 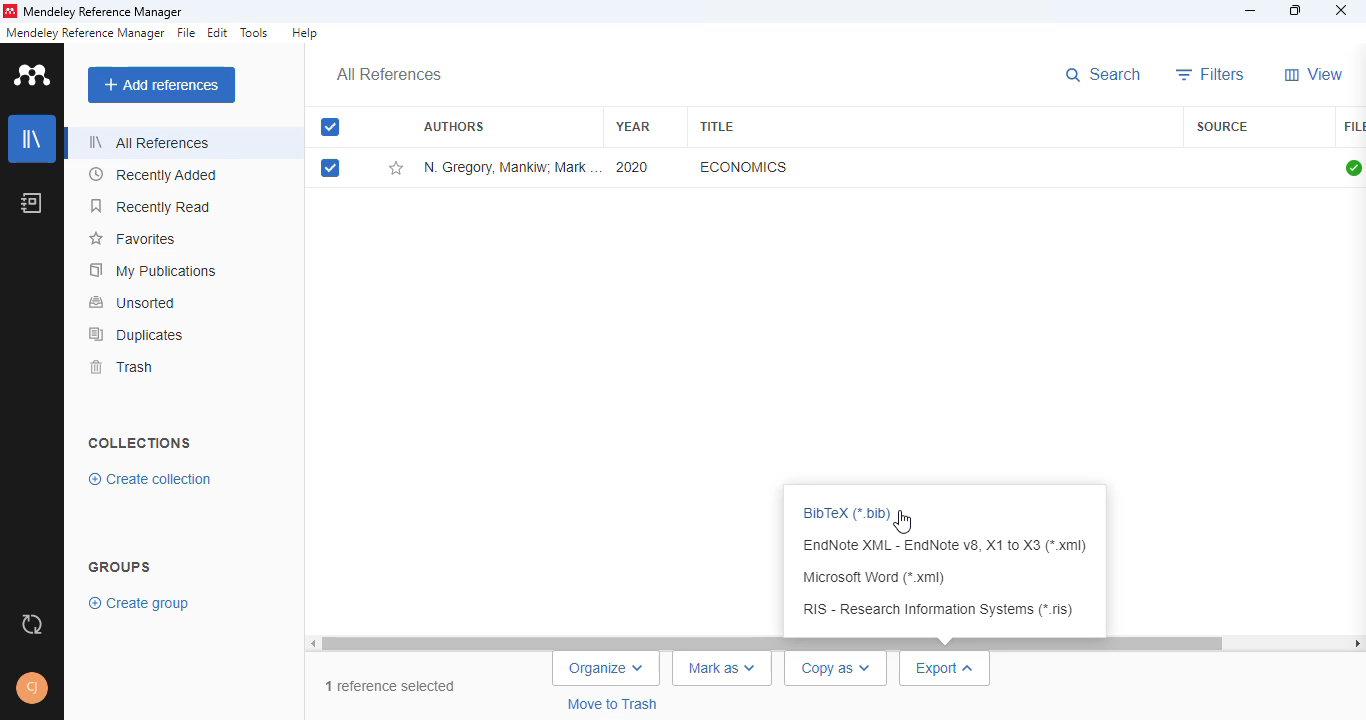 What do you see at coordinates (303, 32) in the screenshot?
I see `help` at bounding box center [303, 32].